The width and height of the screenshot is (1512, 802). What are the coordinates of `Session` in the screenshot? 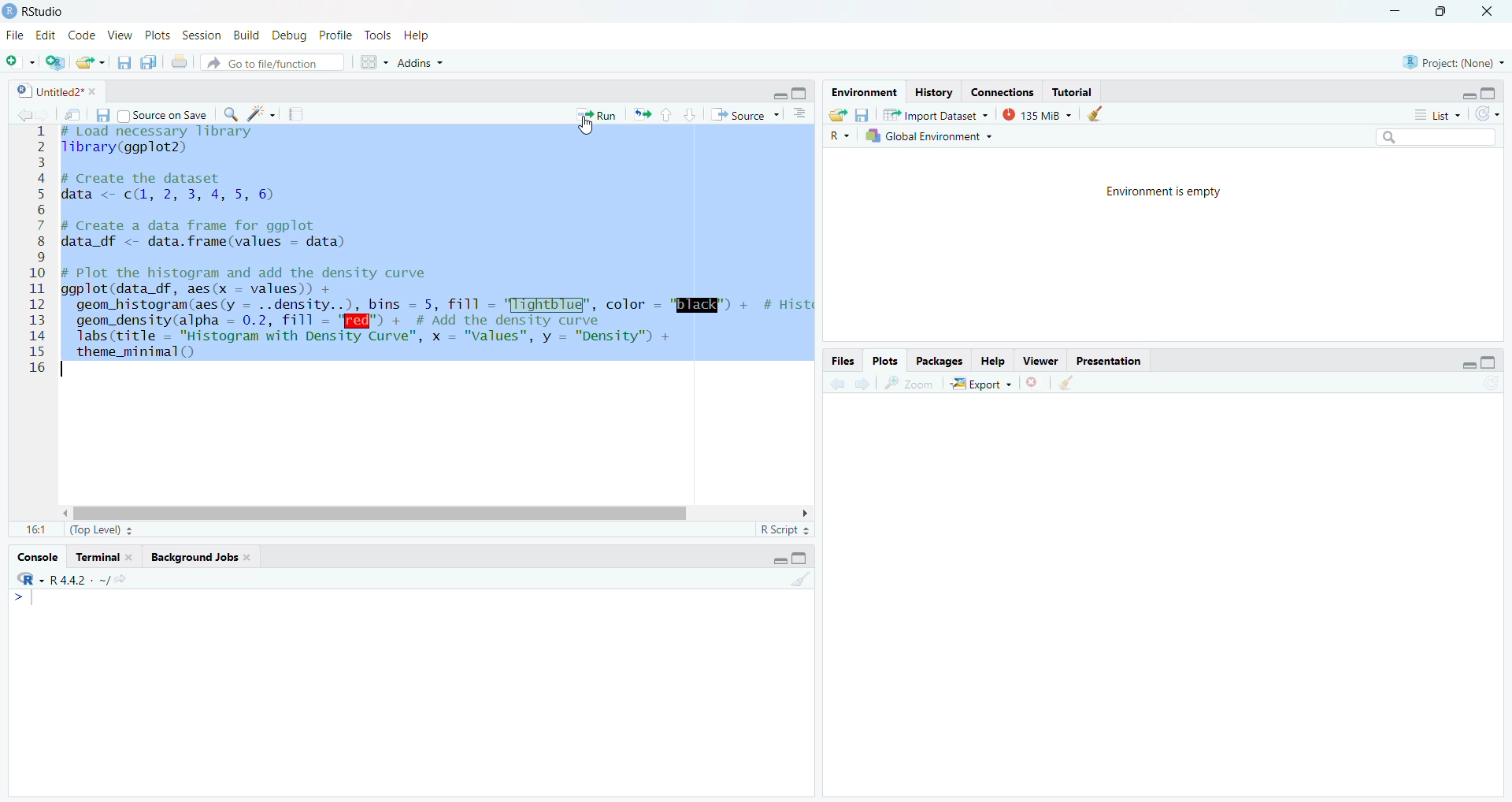 It's located at (203, 34).